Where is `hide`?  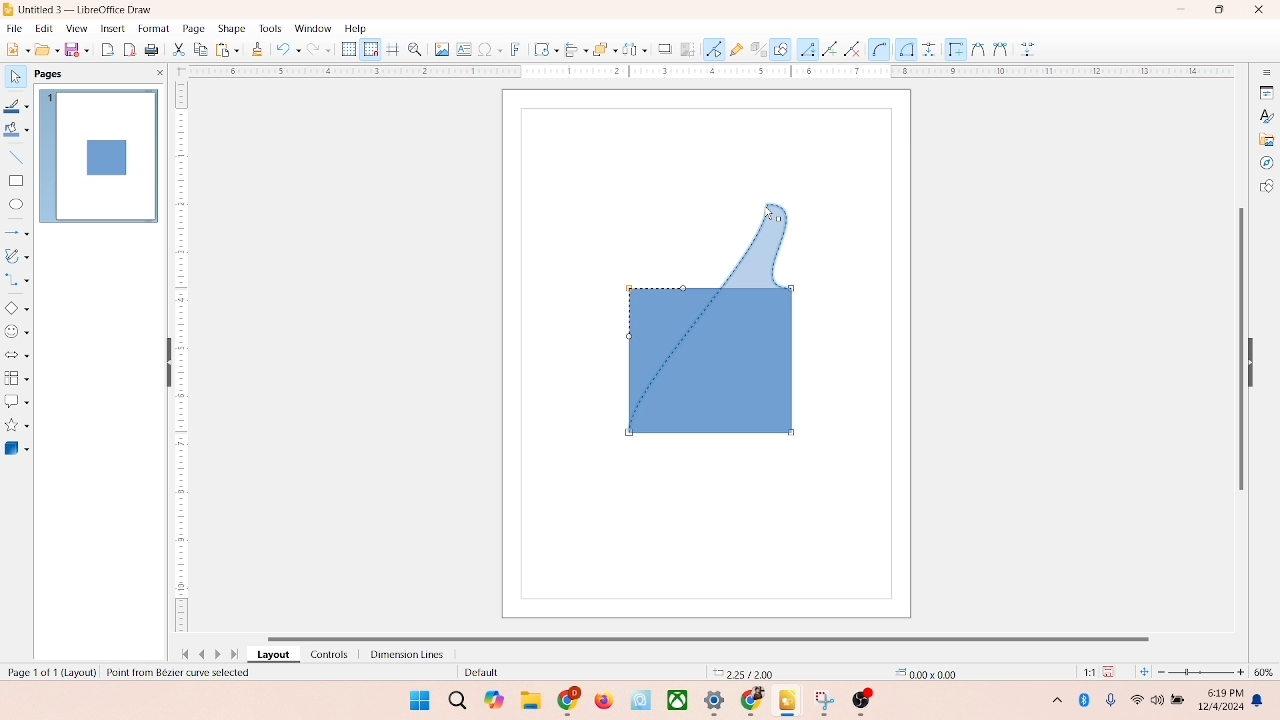
hide is located at coordinates (165, 364).